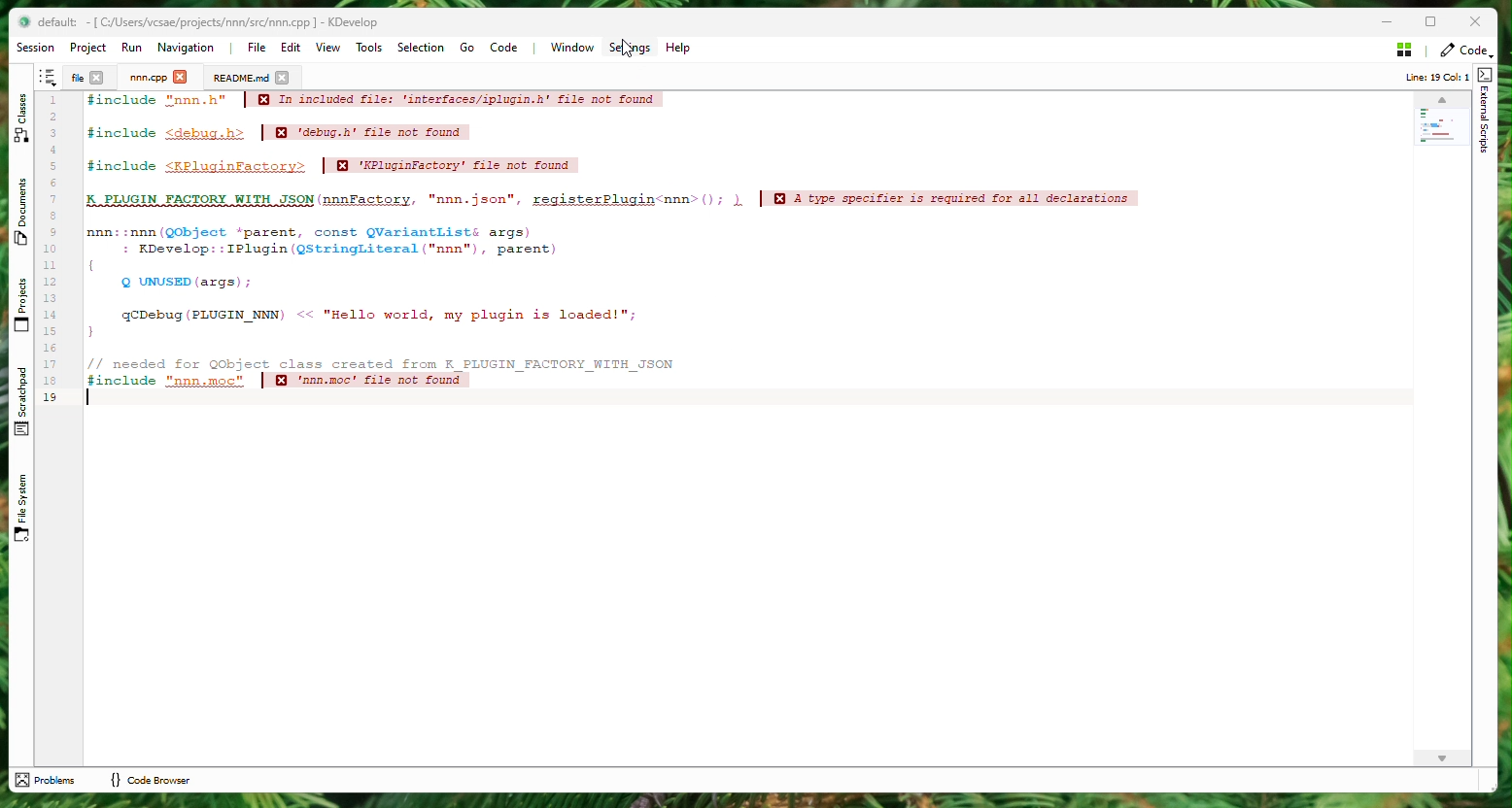  Describe the element at coordinates (52, 232) in the screenshot. I see `9` at that location.